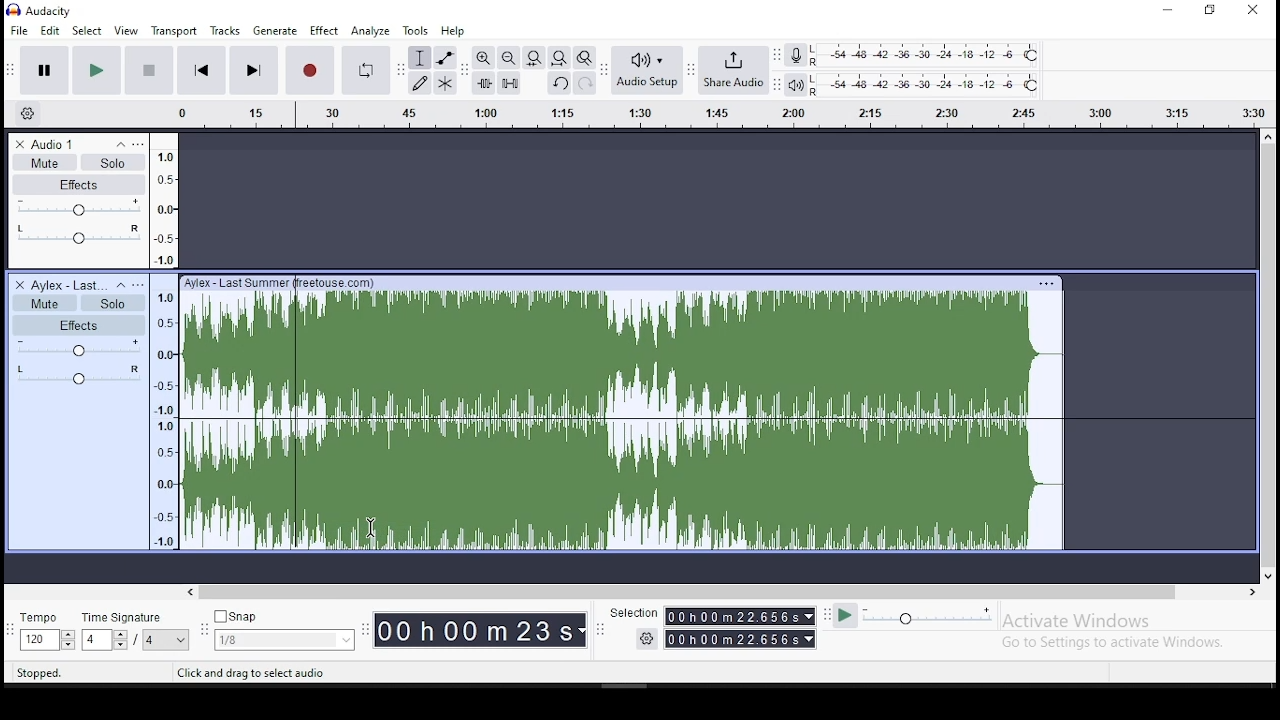 Image resolution: width=1280 pixels, height=720 pixels. What do you see at coordinates (134, 631) in the screenshot?
I see `time signature` at bounding box center [134, 631].